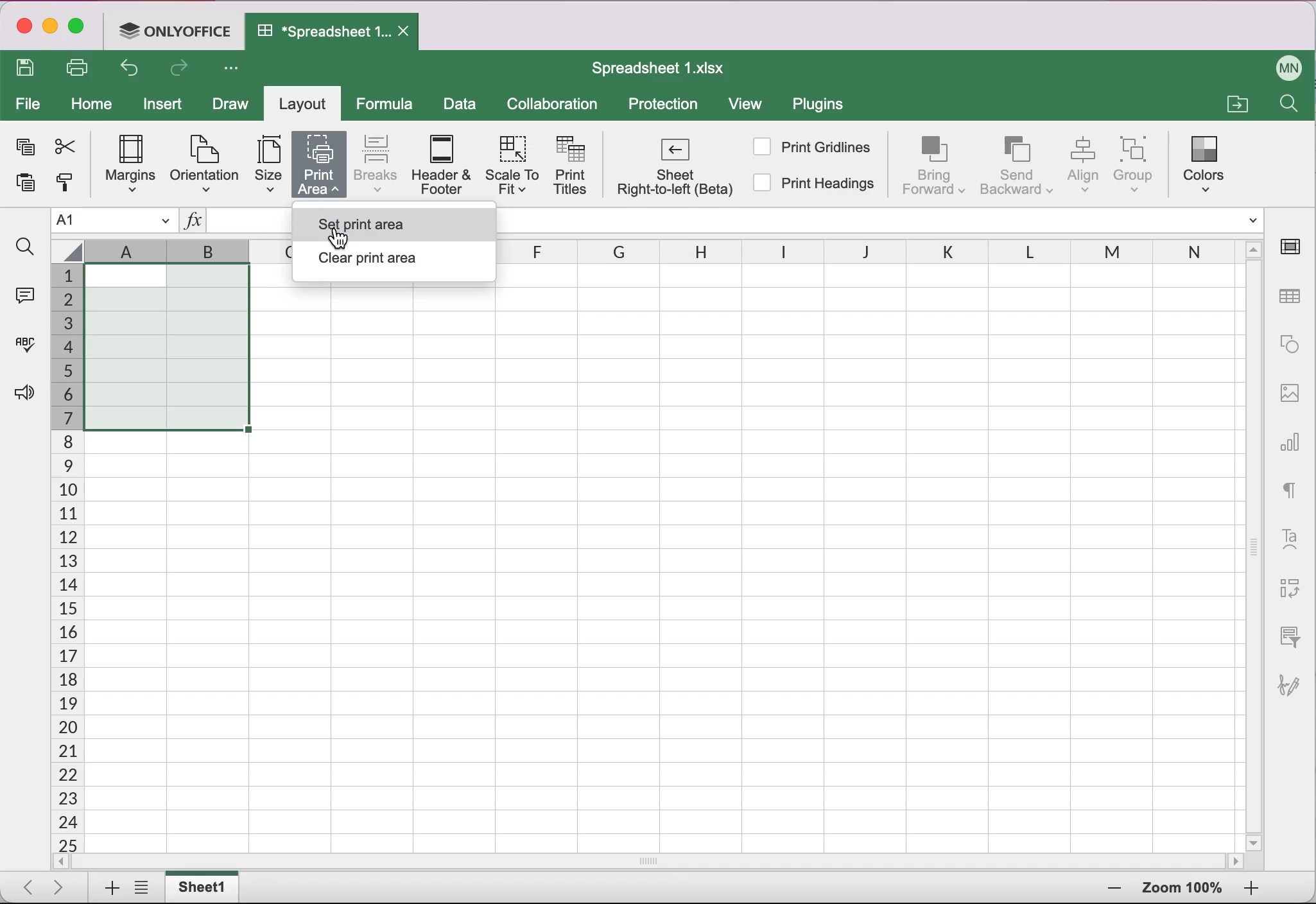  What do you see at coordinates (203, 163) in the screenshot?
I see `Orientation` at bounding box center [203, 163].